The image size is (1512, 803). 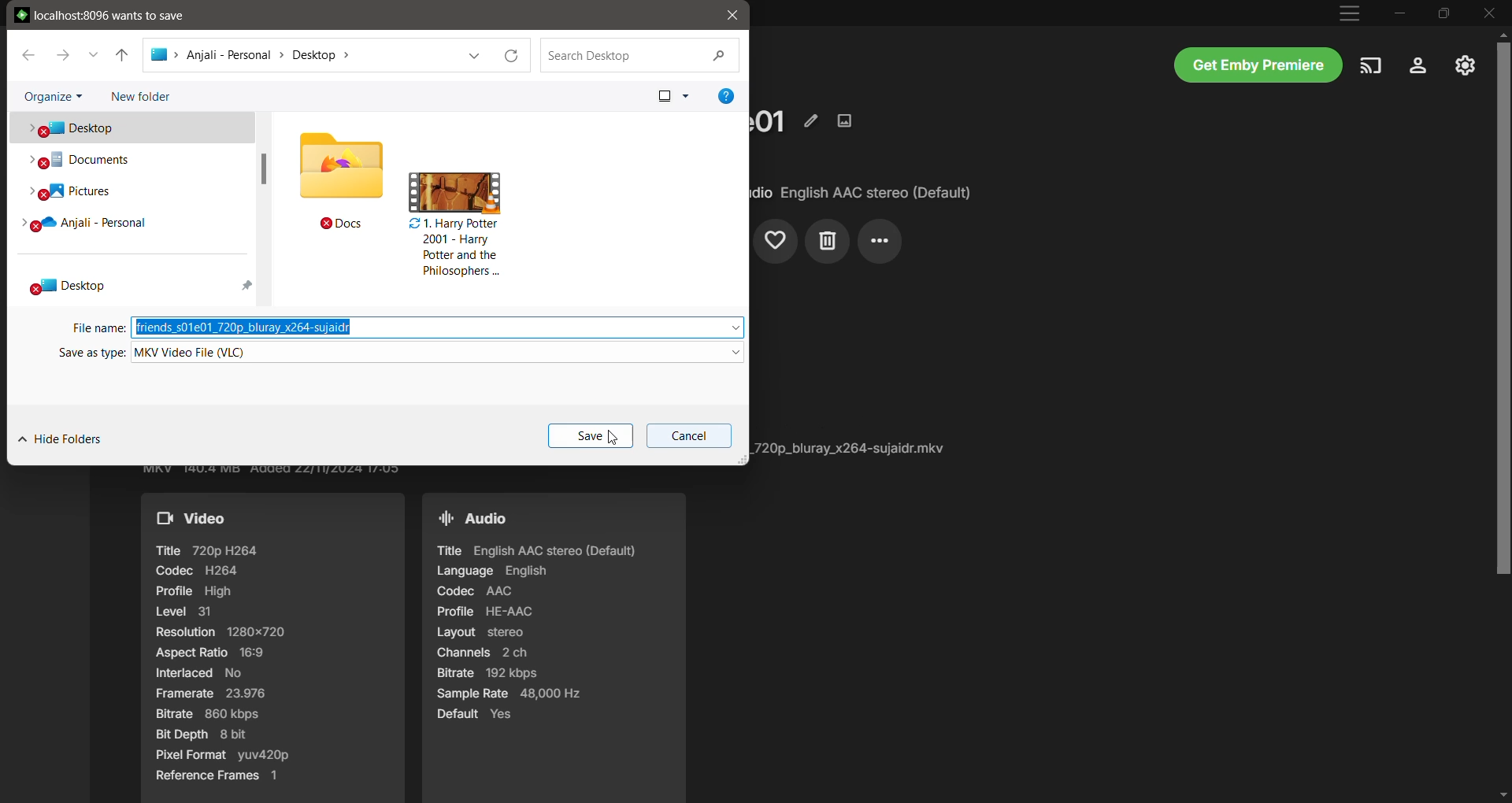 I want to click on Pictures folder, so click(x=129, y=191).